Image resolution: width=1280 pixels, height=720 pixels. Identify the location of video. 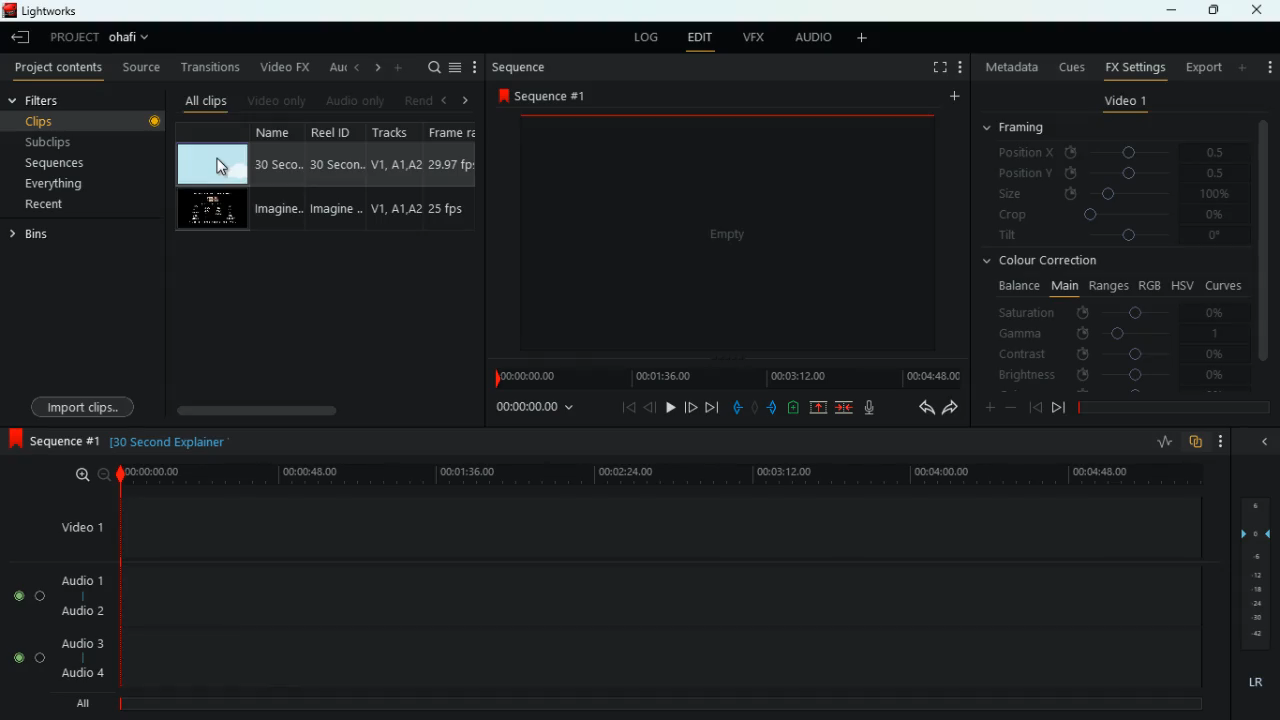
(724, 230).